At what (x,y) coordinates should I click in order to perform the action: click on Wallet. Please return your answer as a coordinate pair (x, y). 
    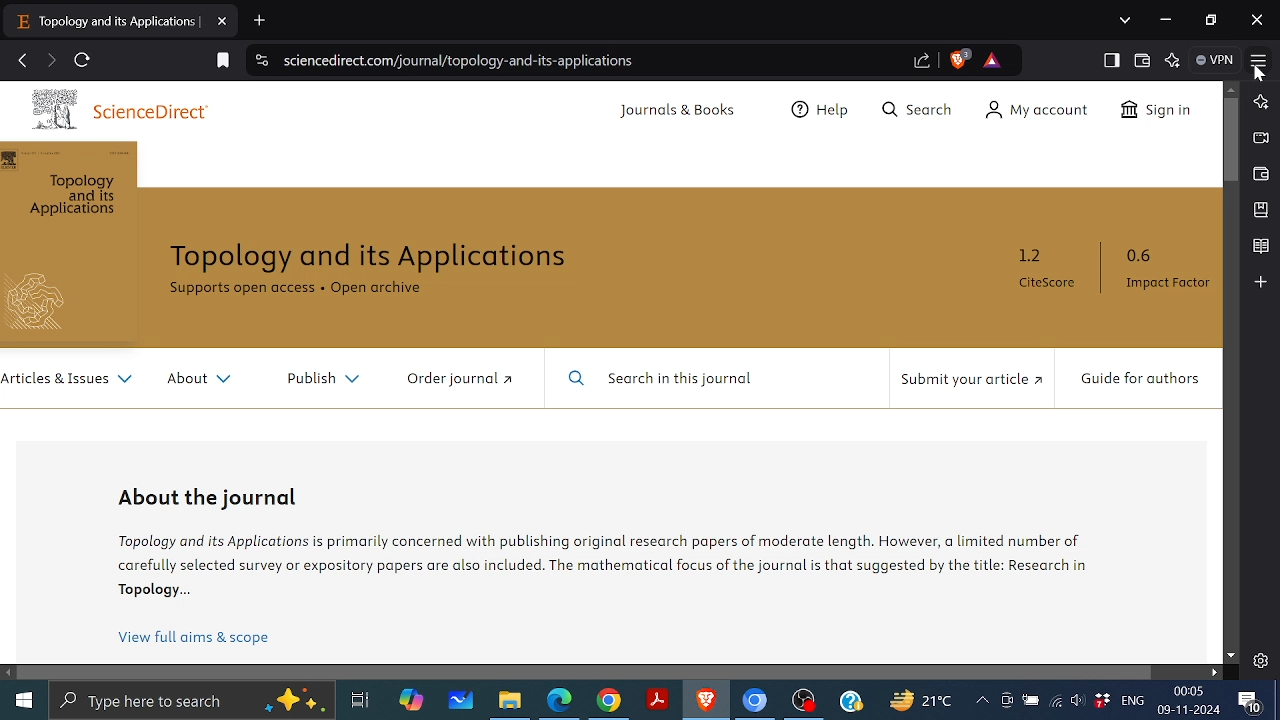
    Looking at the image, I should click on (1146, 60).